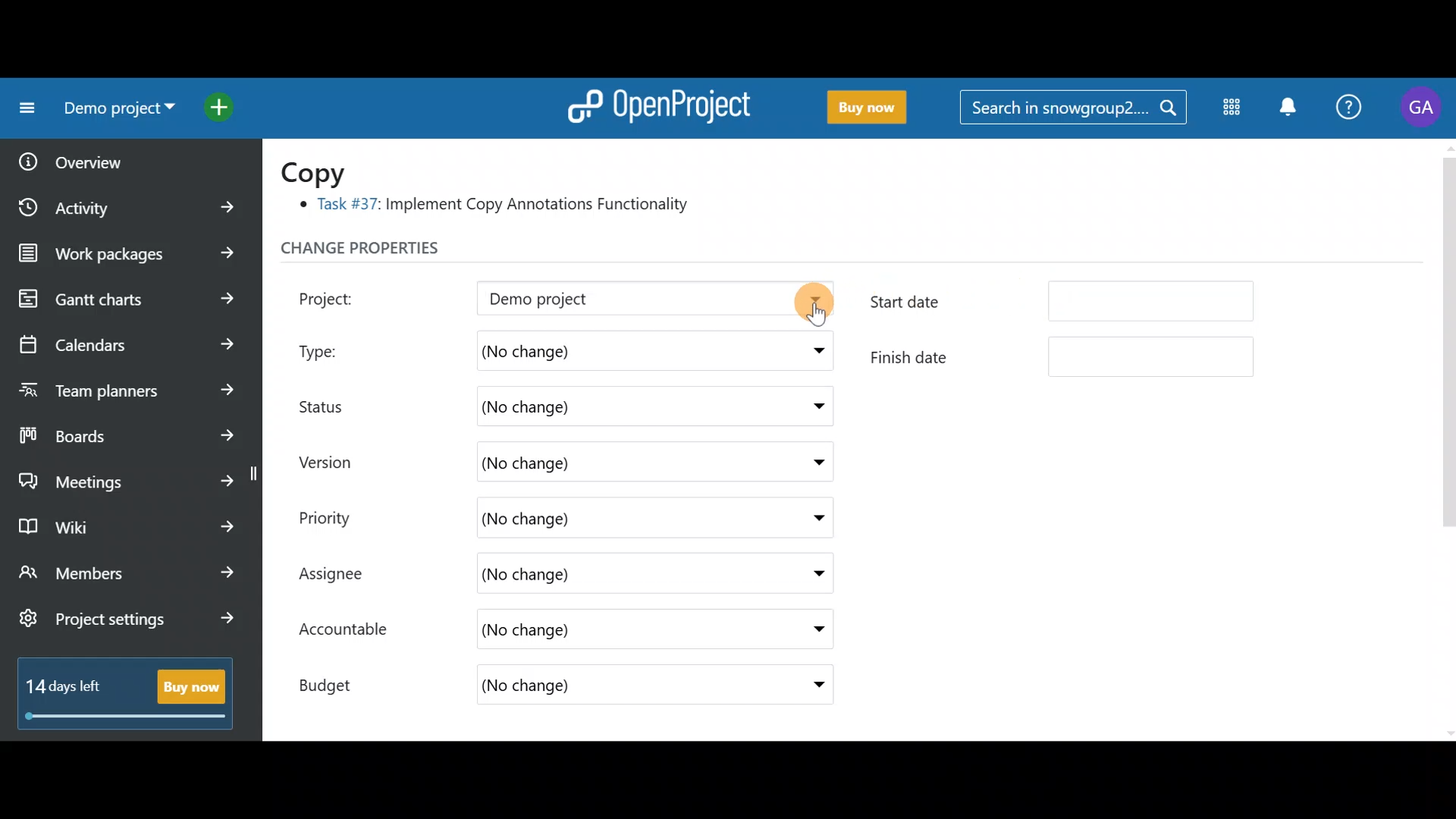 The height and width of the screenshot is (819, 1456). Describe the element at coordinates (114, 111) in the screenshot. I see `Demo project` at that location.